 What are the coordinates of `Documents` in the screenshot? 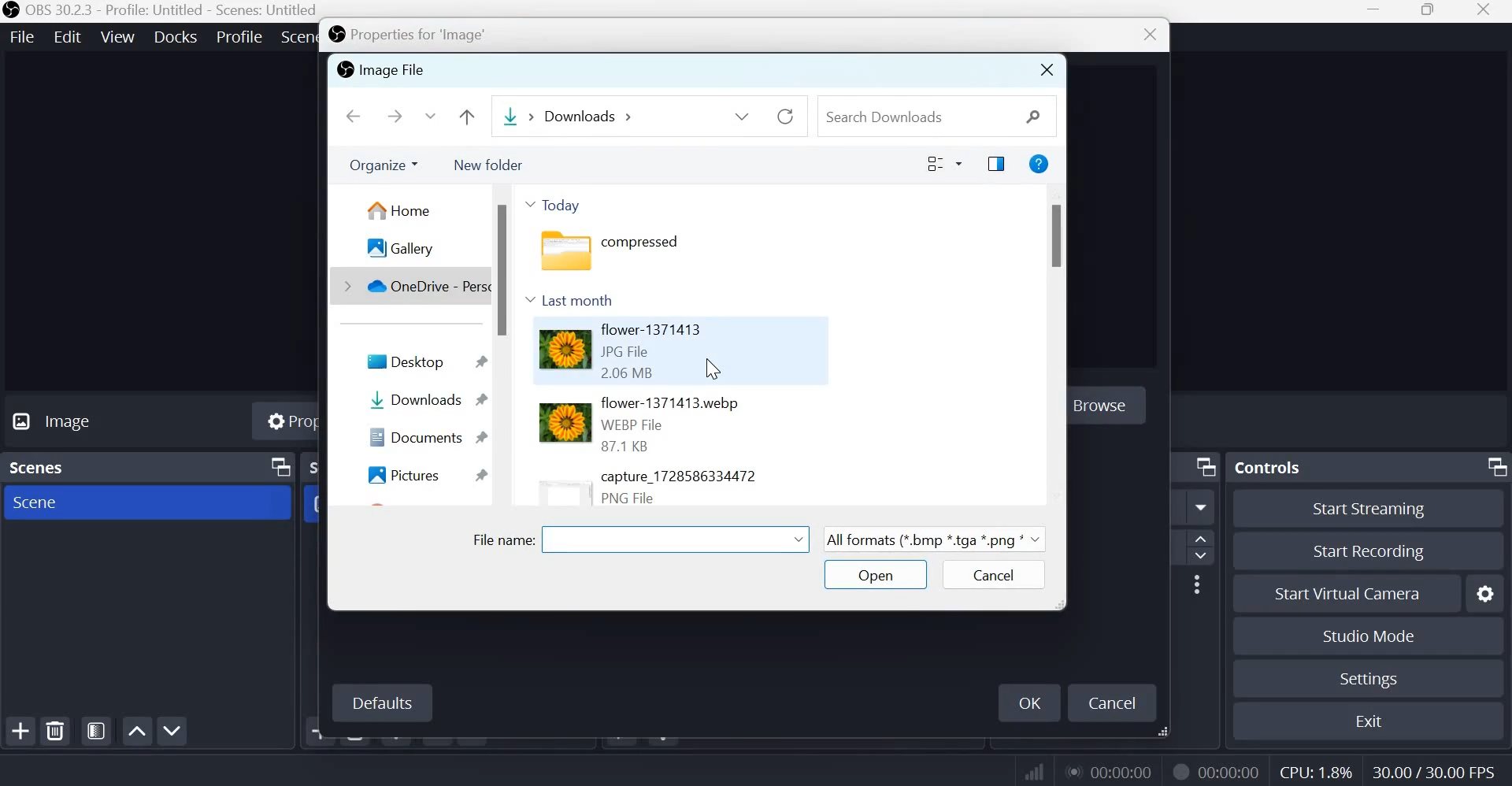 It's located at (424, 436).